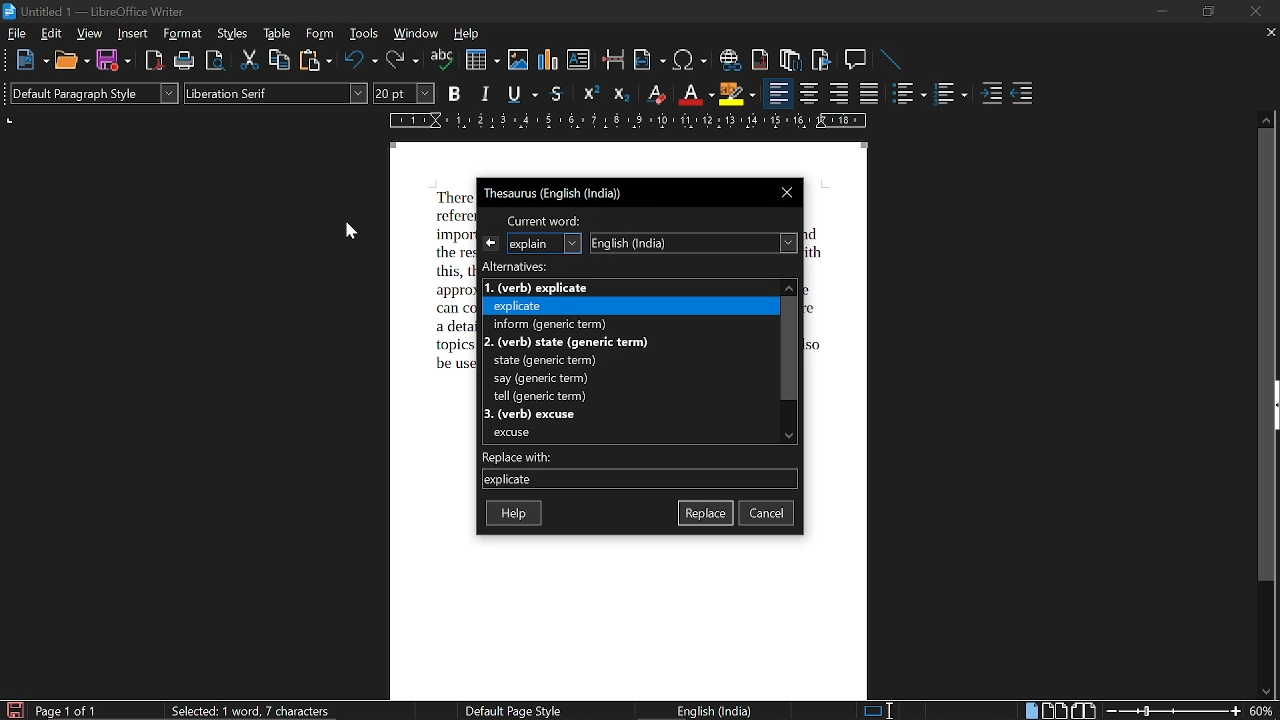 The image size is (1280, 720). What do you see at coordinates (786, 193) in the screenshot?
I see `close` at bounding box center [786, 193].